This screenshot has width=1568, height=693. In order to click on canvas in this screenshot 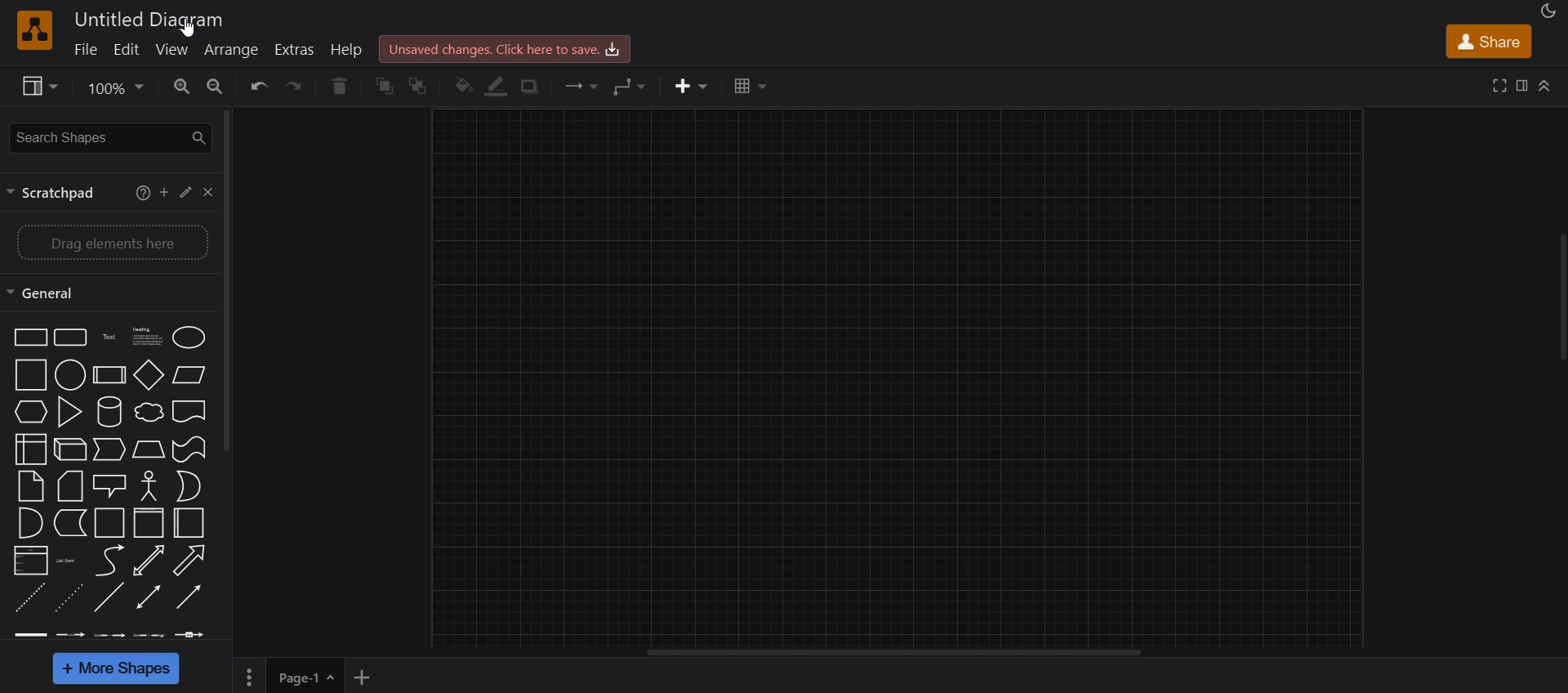, I will do `click(897, 376)`.